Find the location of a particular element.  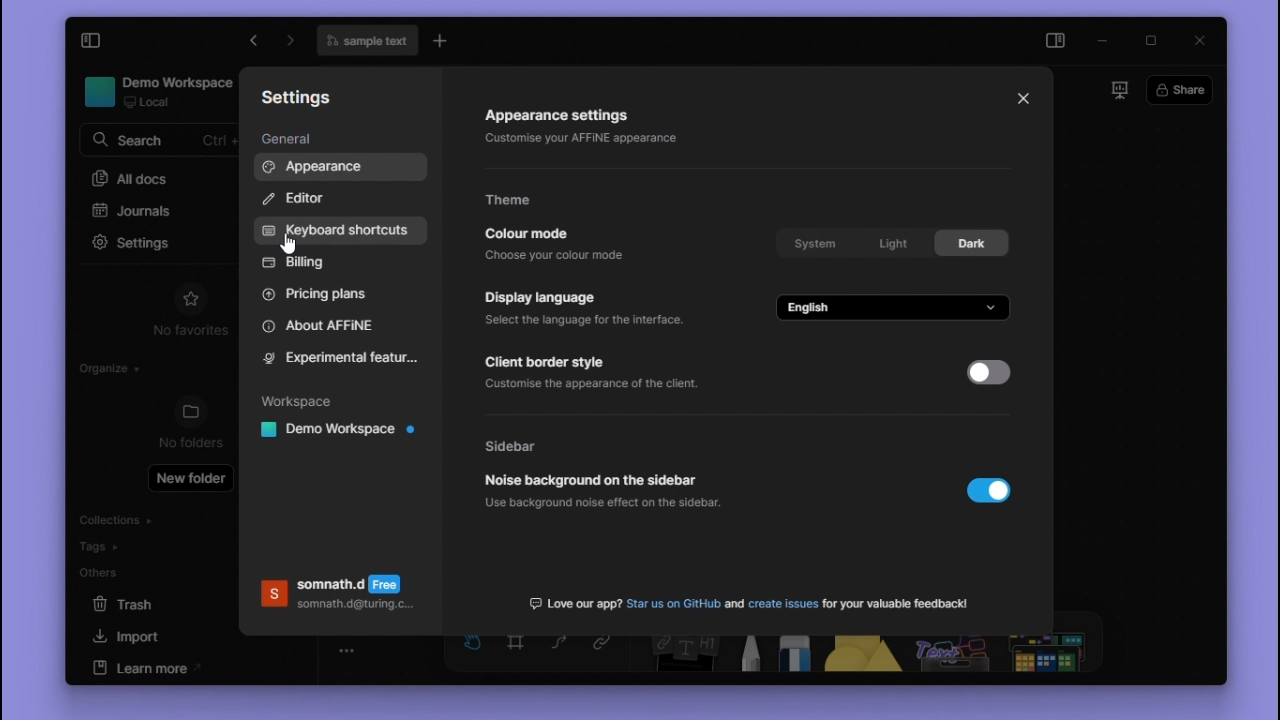

Workspace is located at coordinates (305, 399).